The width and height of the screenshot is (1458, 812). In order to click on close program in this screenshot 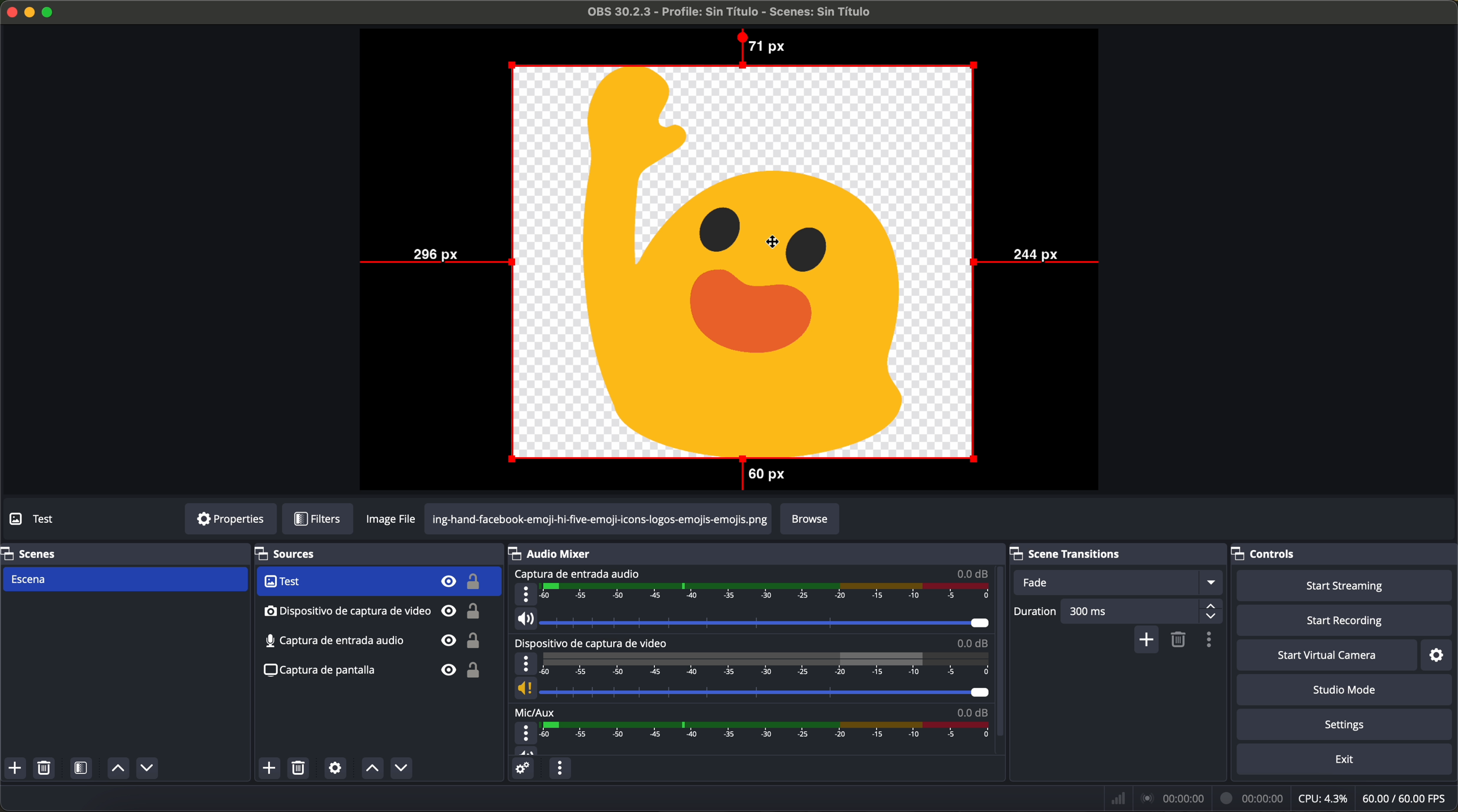, I will do `click(10, 11)`.